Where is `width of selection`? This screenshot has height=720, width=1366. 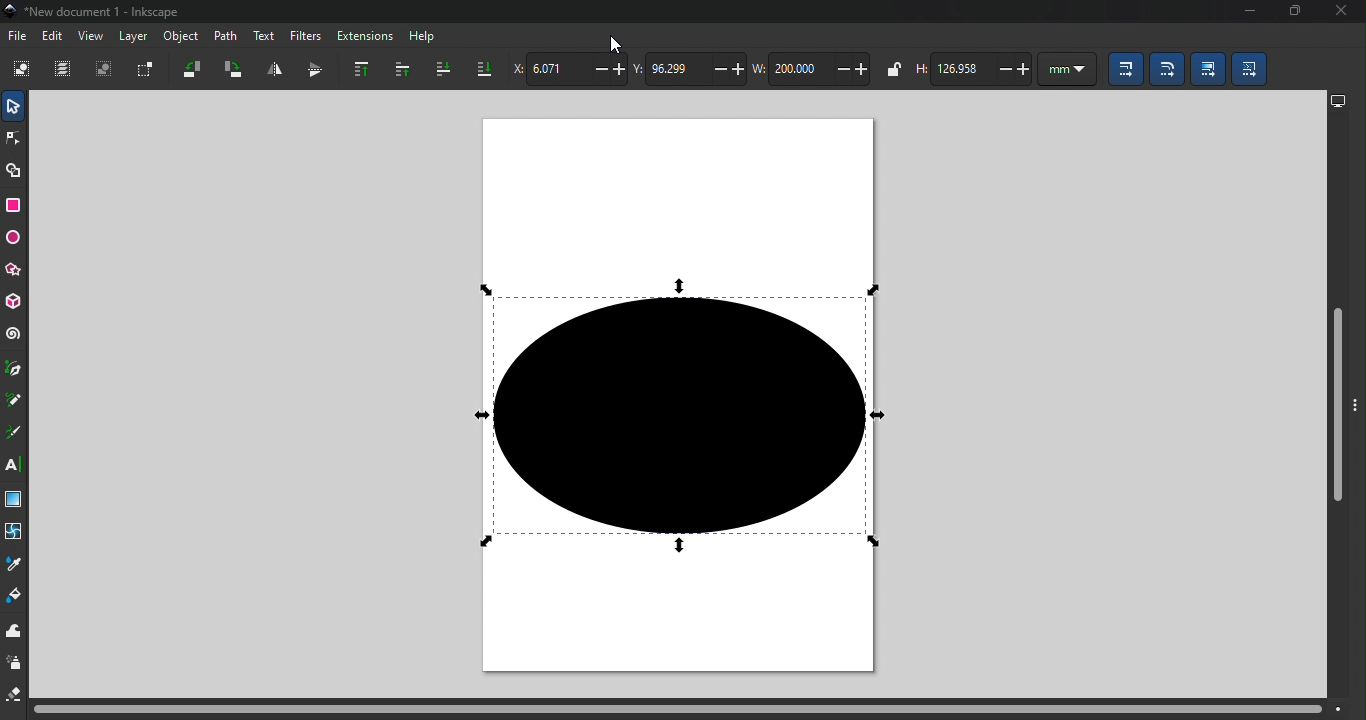 width of selection is located at coordinates (812, 68).